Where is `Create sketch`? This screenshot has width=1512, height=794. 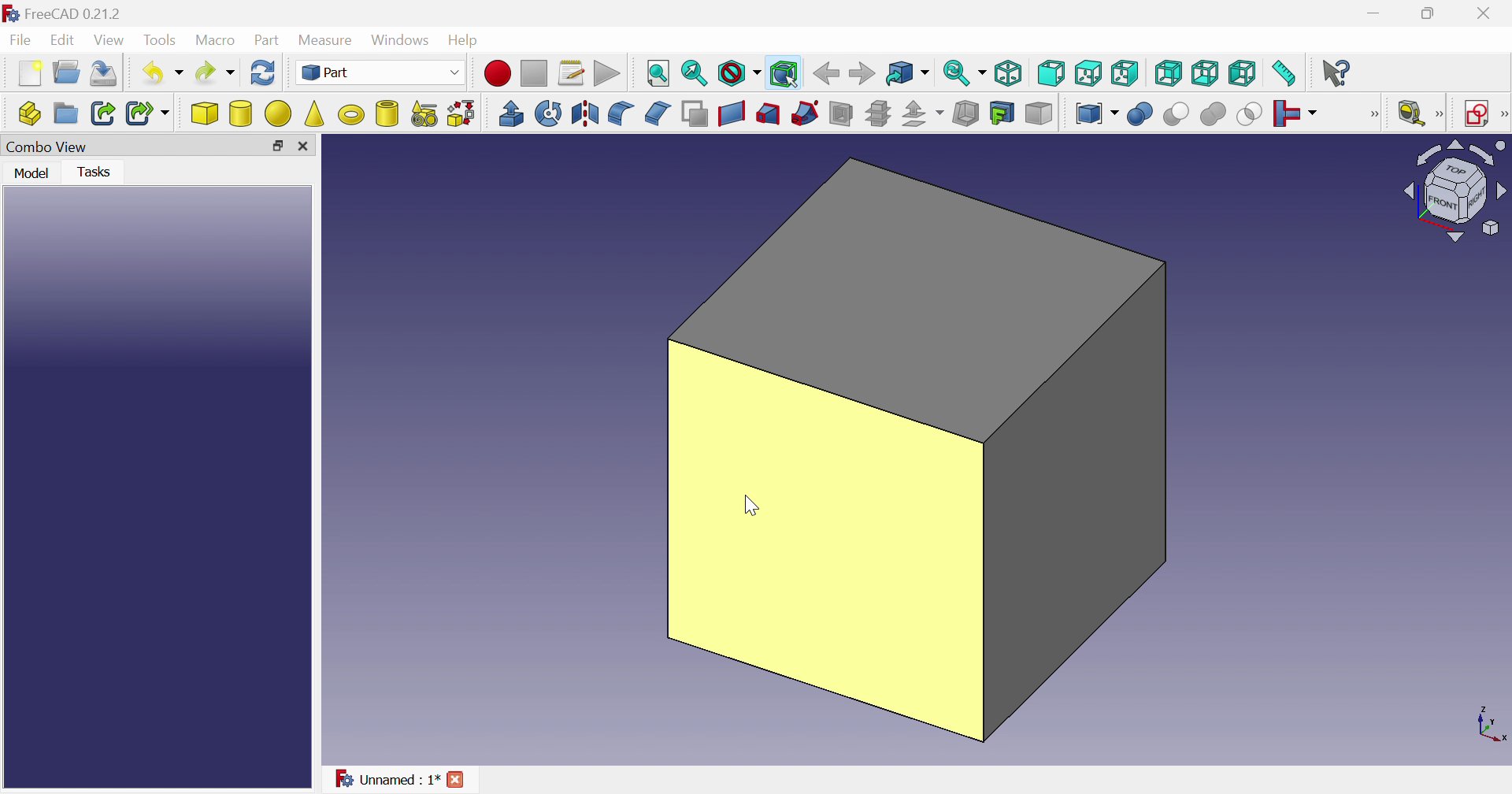 Create sketch is located at coordinates (1477, 114).